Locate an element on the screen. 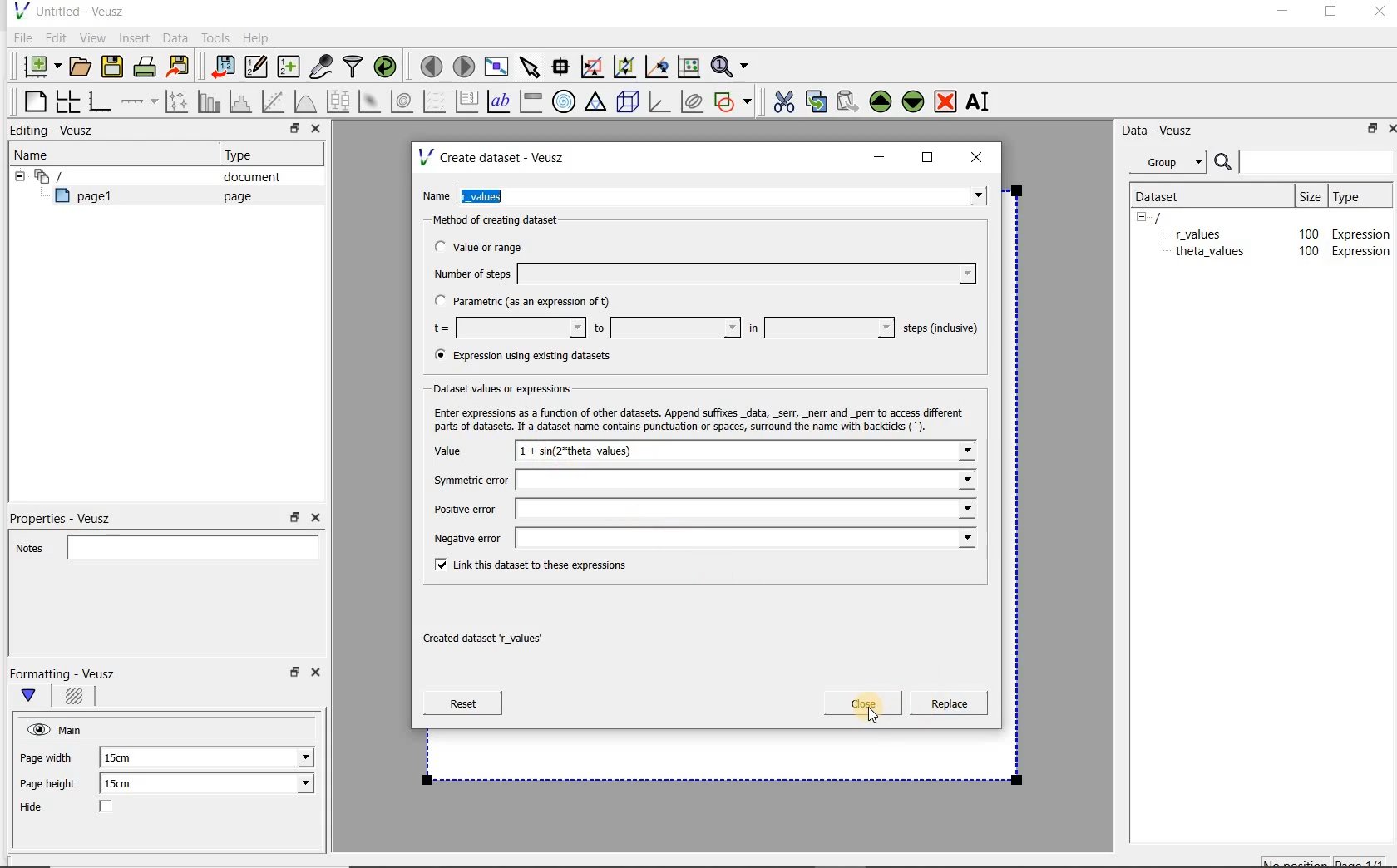 This screenshot has width=1397, height=868. Search bar is located at coordinates (1305, 160).